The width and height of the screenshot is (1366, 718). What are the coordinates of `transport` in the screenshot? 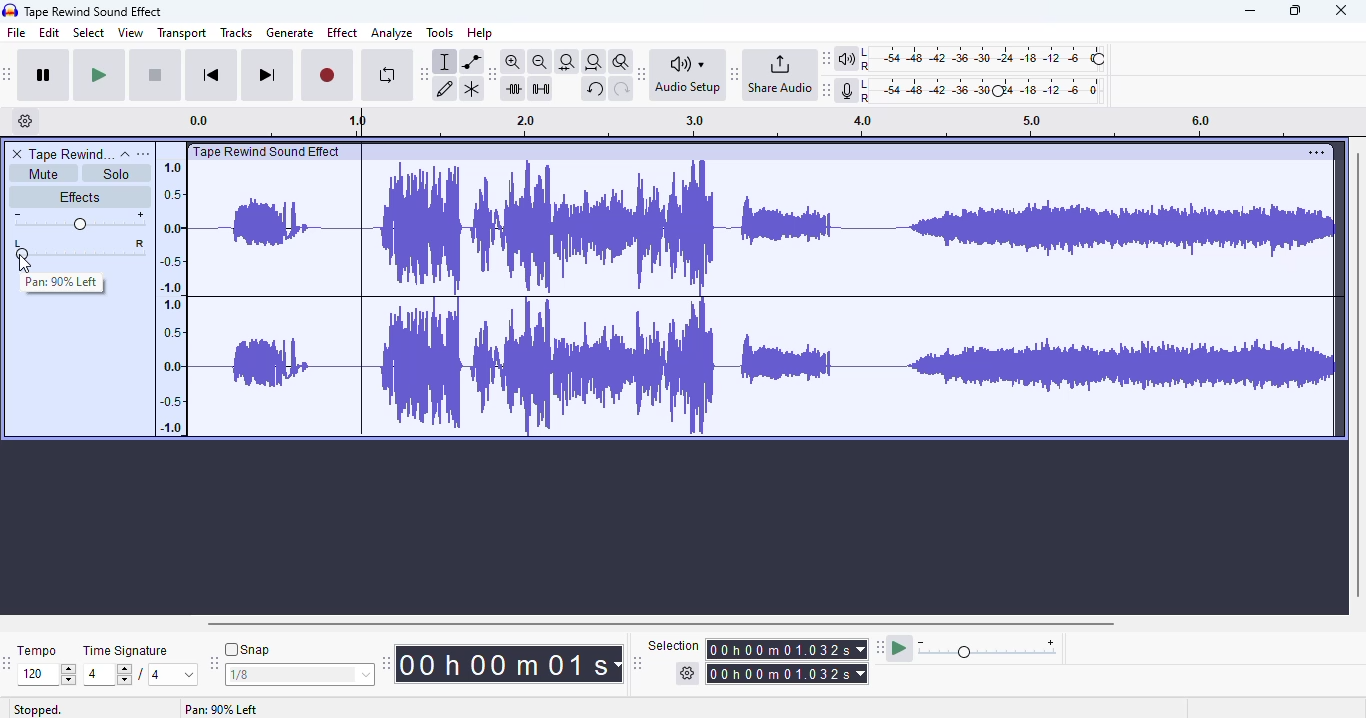 It's located at (182, 33).